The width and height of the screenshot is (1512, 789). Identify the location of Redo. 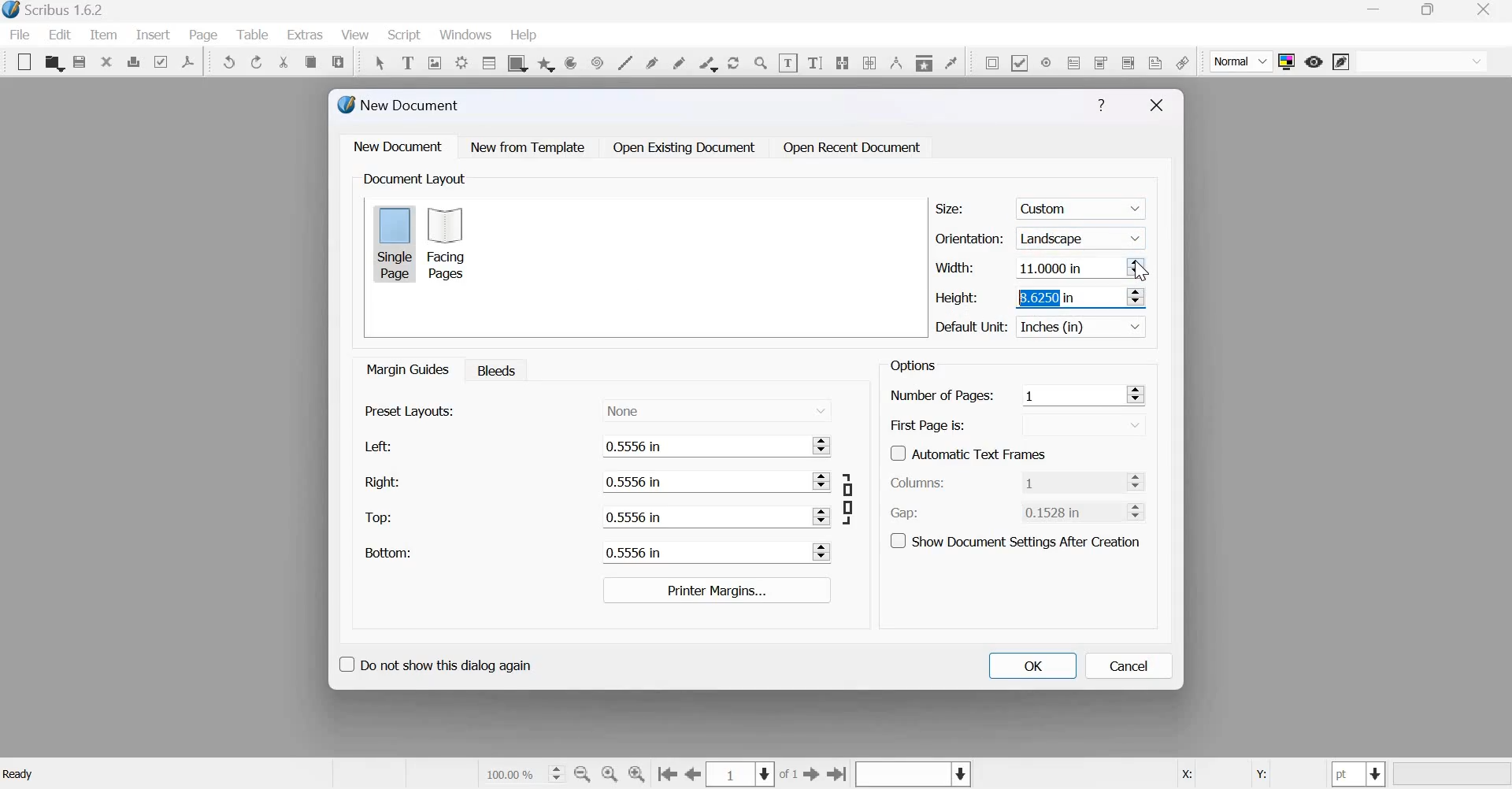
(258, 62).